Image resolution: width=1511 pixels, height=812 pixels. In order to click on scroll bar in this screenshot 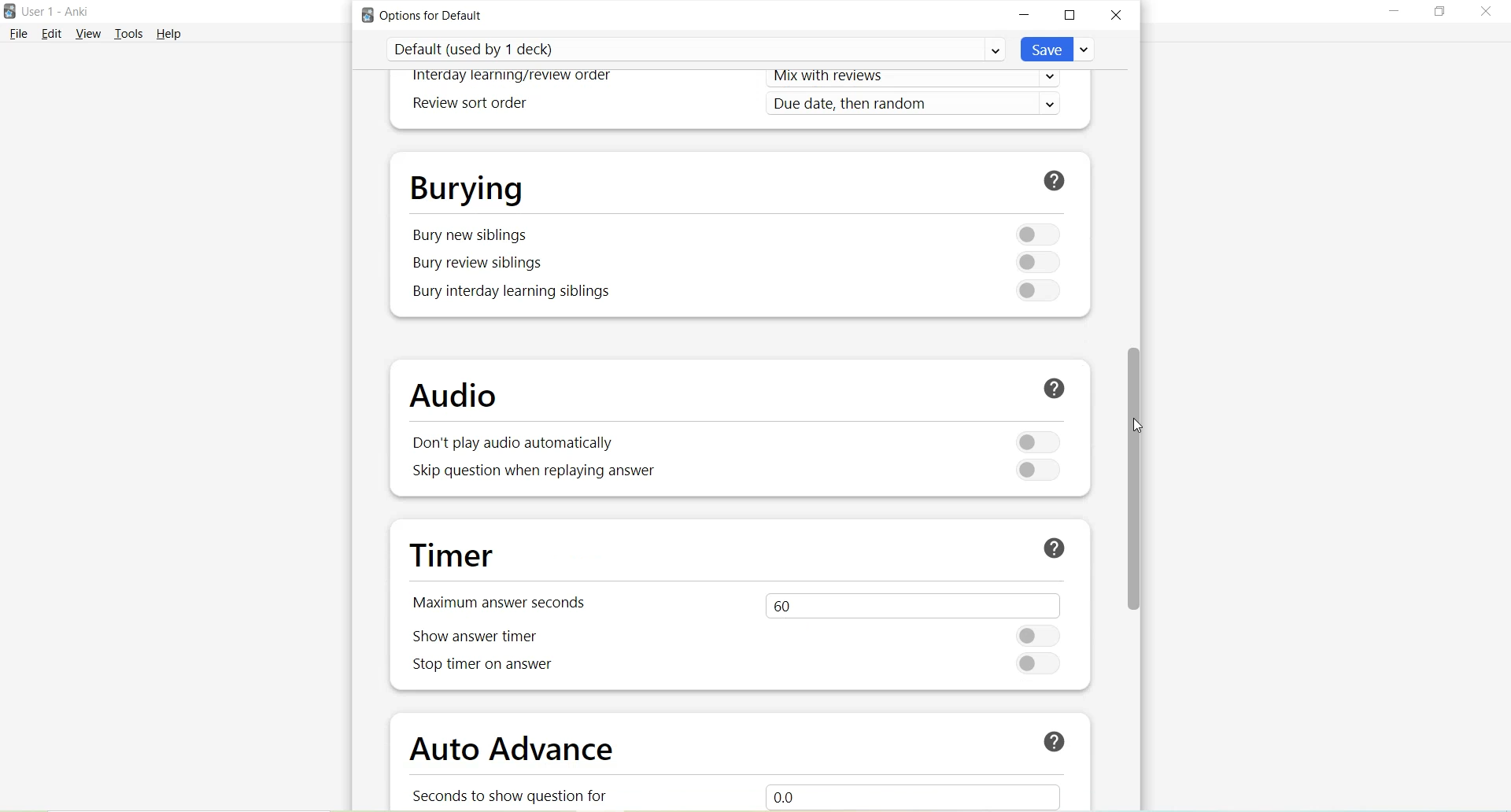, I will do `click(1132, 483)`.